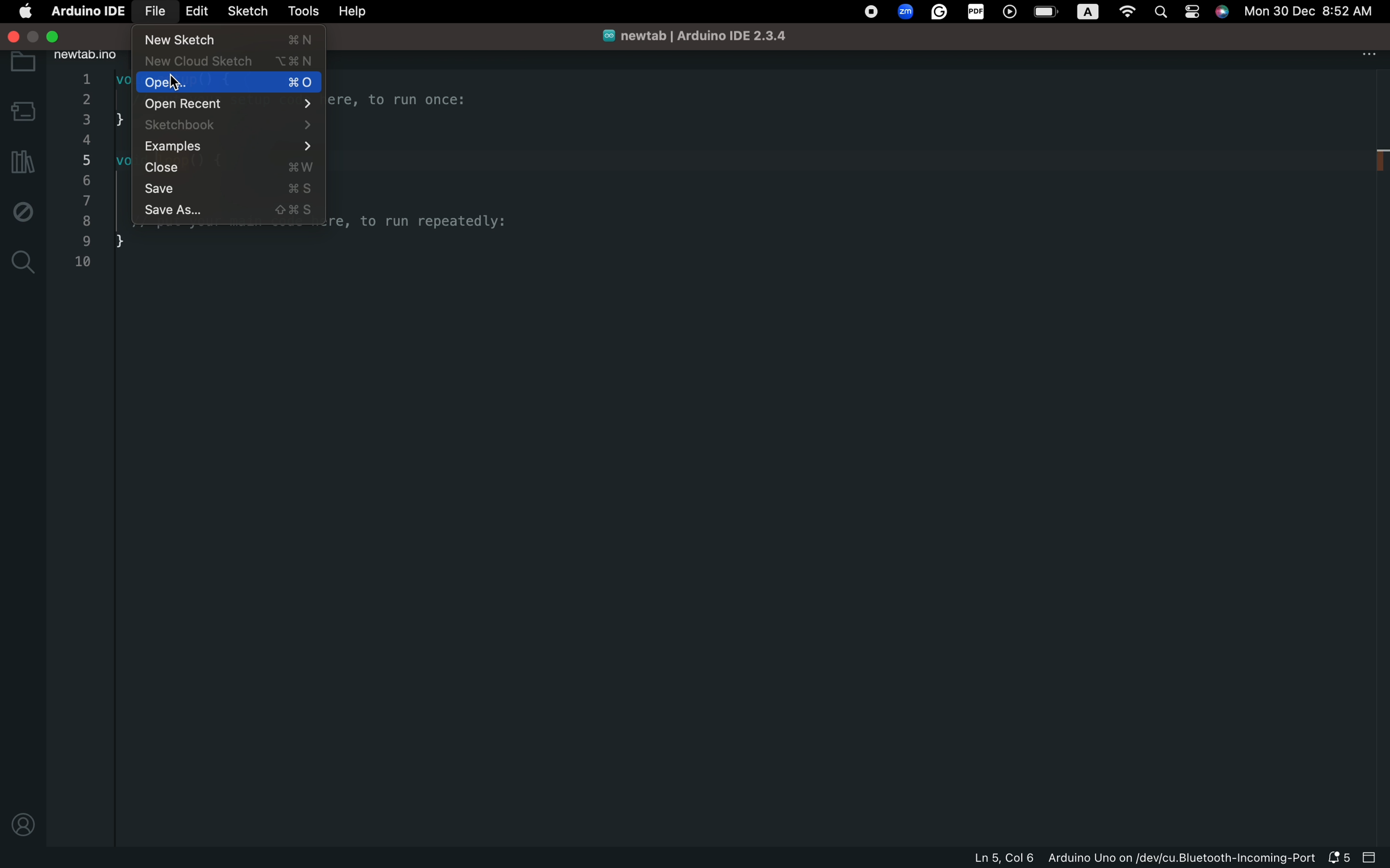  Describe the element at coordinates (1009, 14) in the screenshot. I see `player` at that location.